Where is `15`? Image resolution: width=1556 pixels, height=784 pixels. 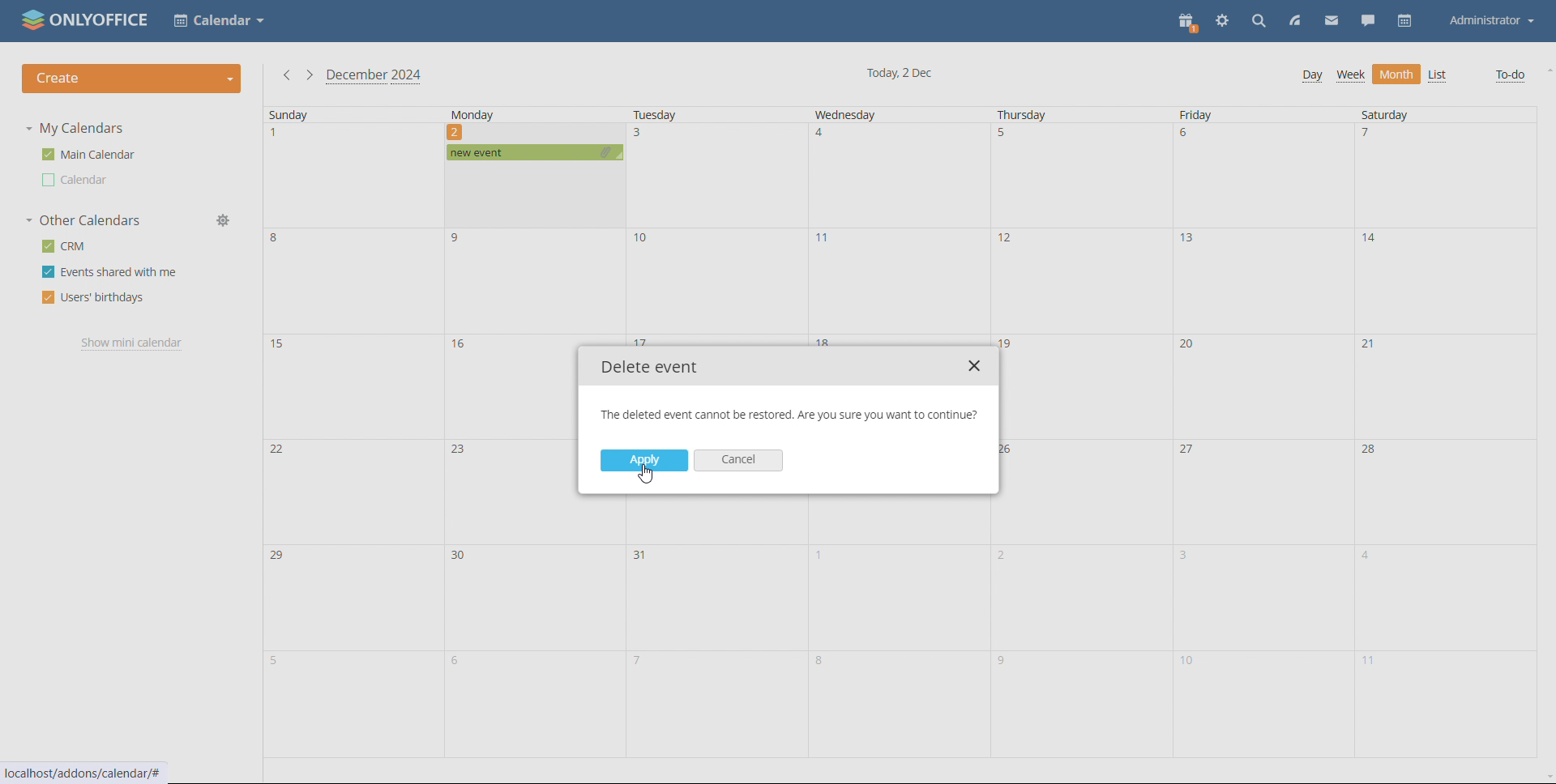
15 is located at coordinates (281, 352).